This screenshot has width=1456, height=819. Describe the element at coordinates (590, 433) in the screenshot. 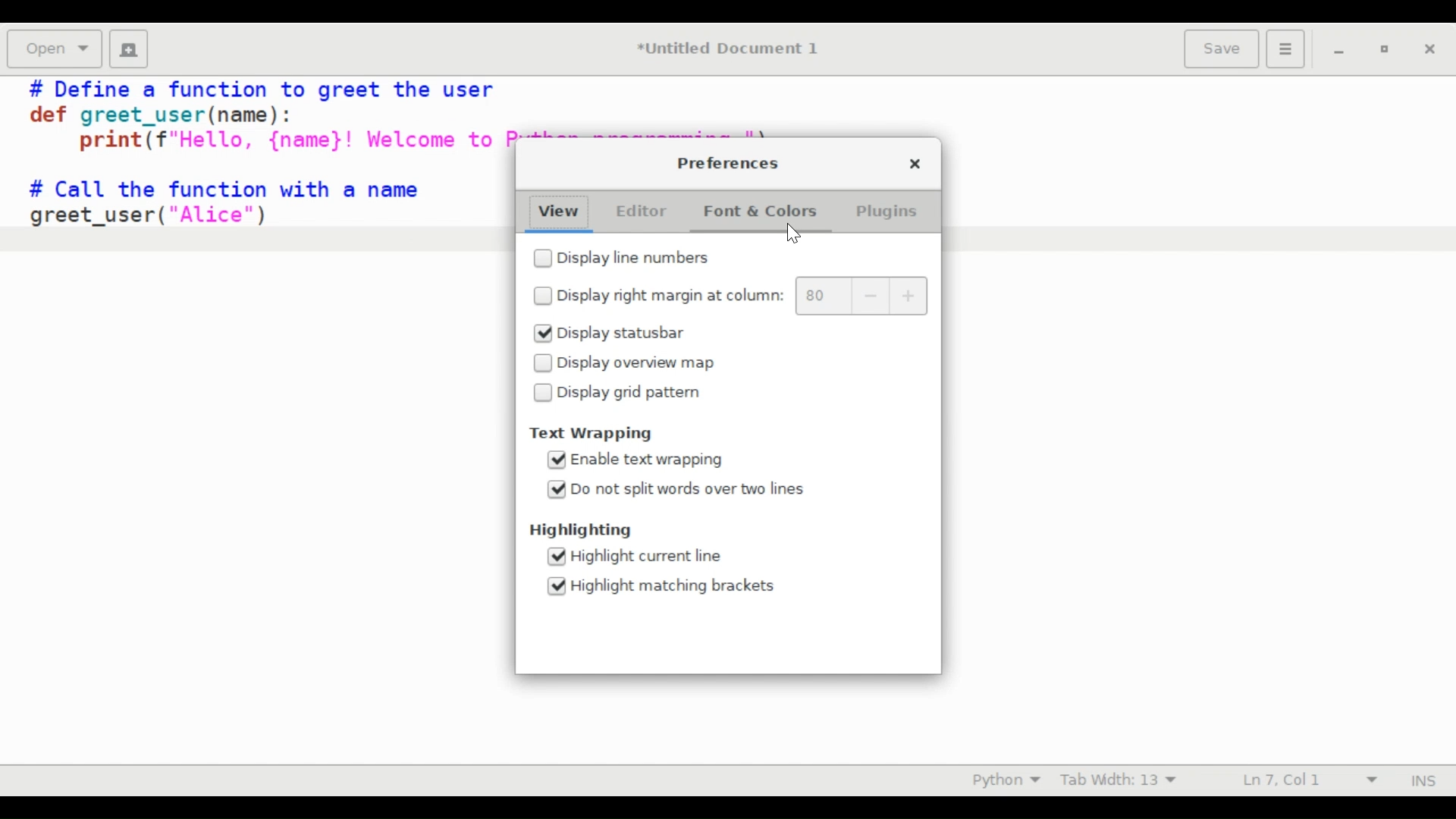

I see `Text Wrapping` at that location.